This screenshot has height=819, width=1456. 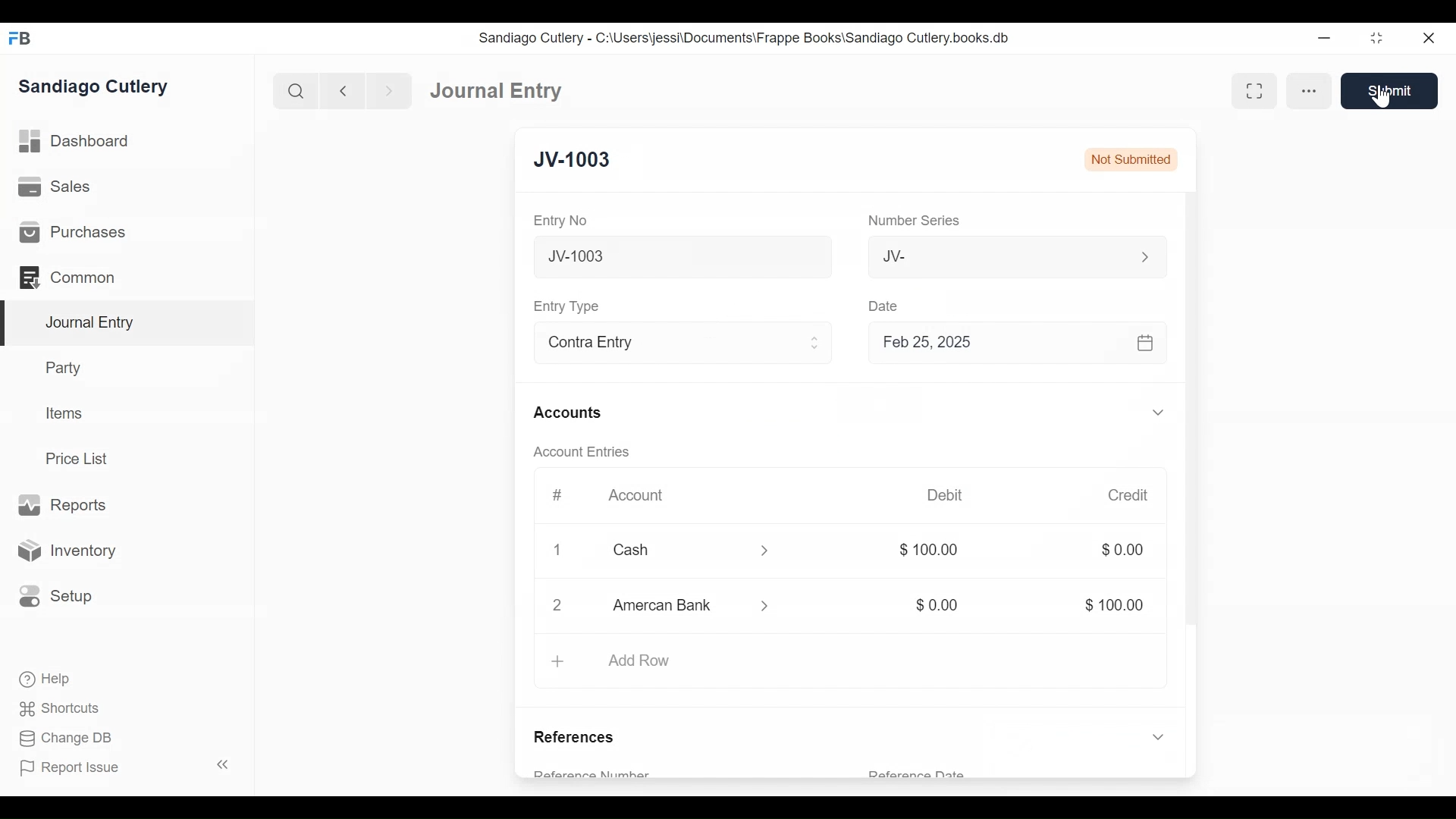 What do you see at coordinates (886, 306) in the screenshot?
I see `Date` at bounding box center [886, 306].